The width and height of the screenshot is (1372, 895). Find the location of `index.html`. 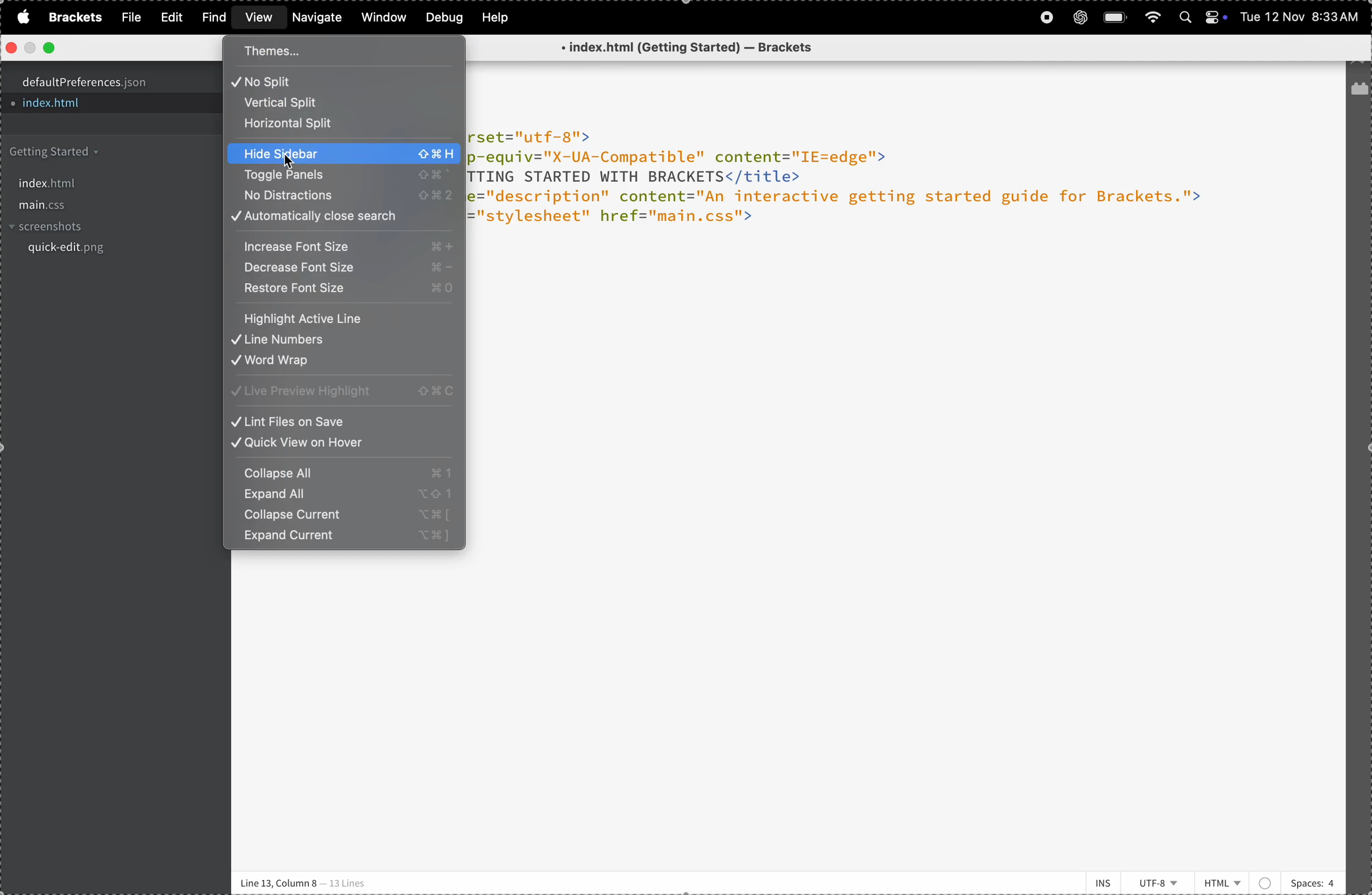

index.html is located at coordinates (91, 180).